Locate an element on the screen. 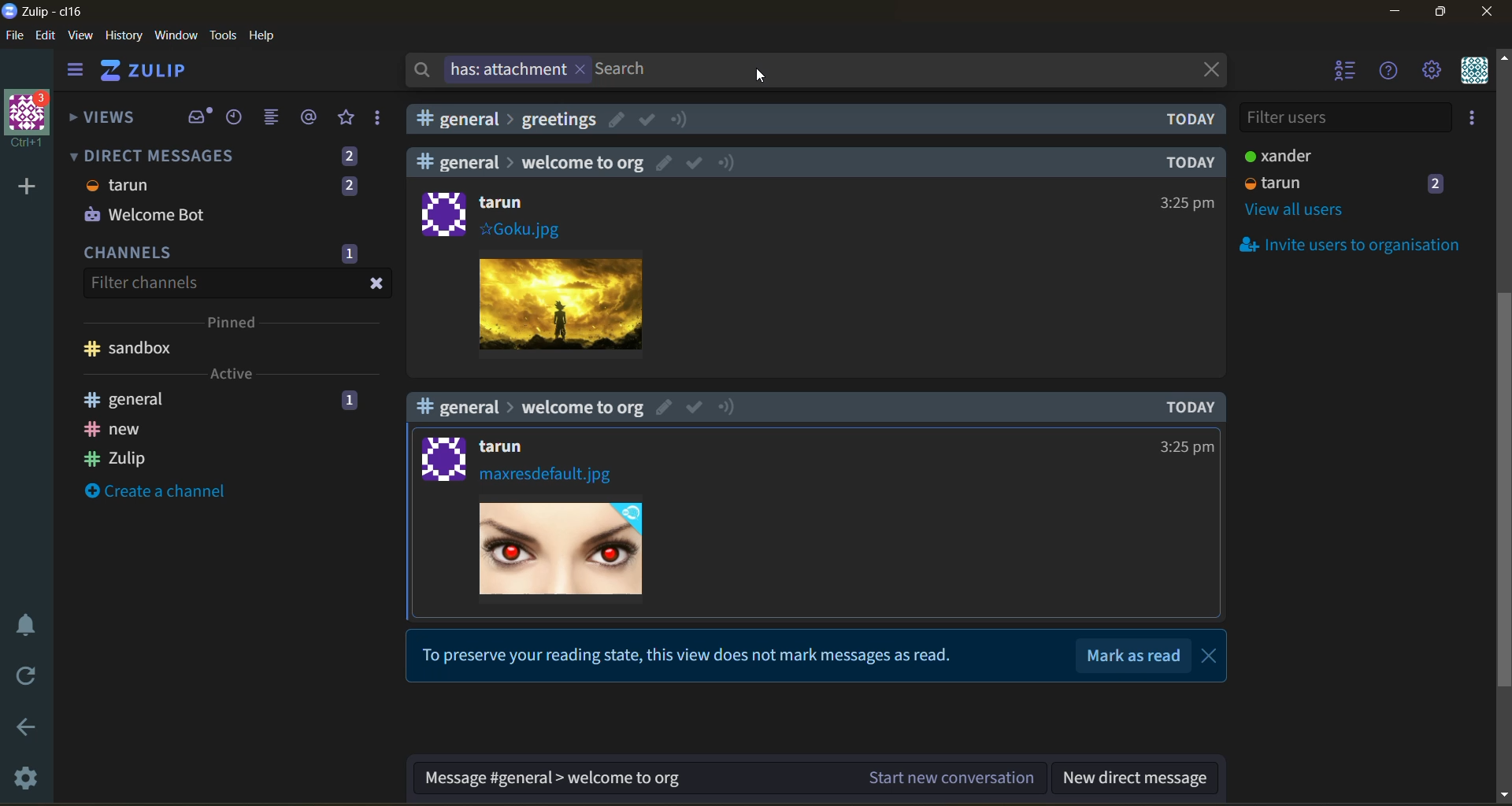 The image size is (1512, 806). tools is located at coordinates (223, 35).